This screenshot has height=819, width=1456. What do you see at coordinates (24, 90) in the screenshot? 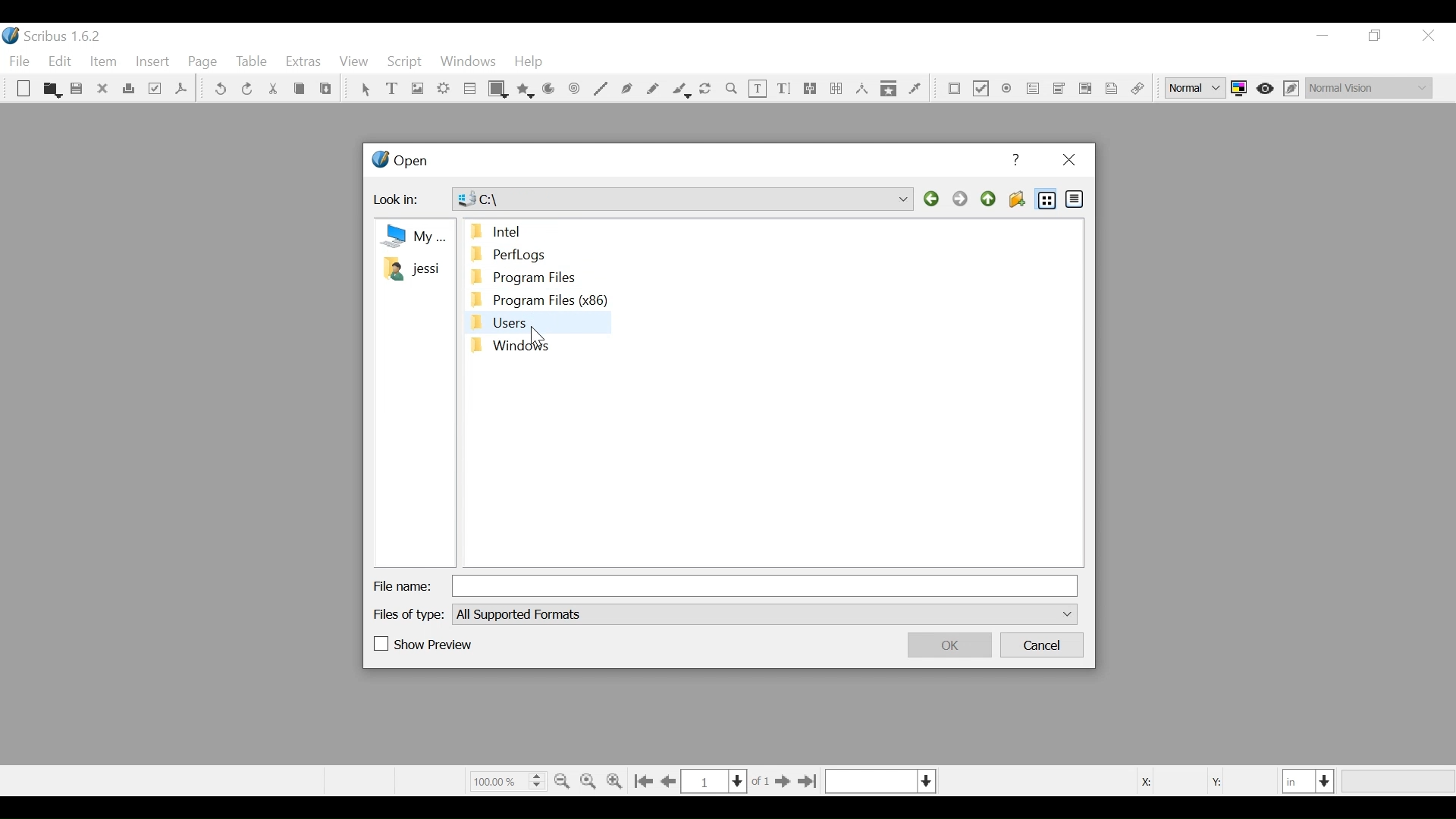
I see `New` at bounding box center [24, 90].